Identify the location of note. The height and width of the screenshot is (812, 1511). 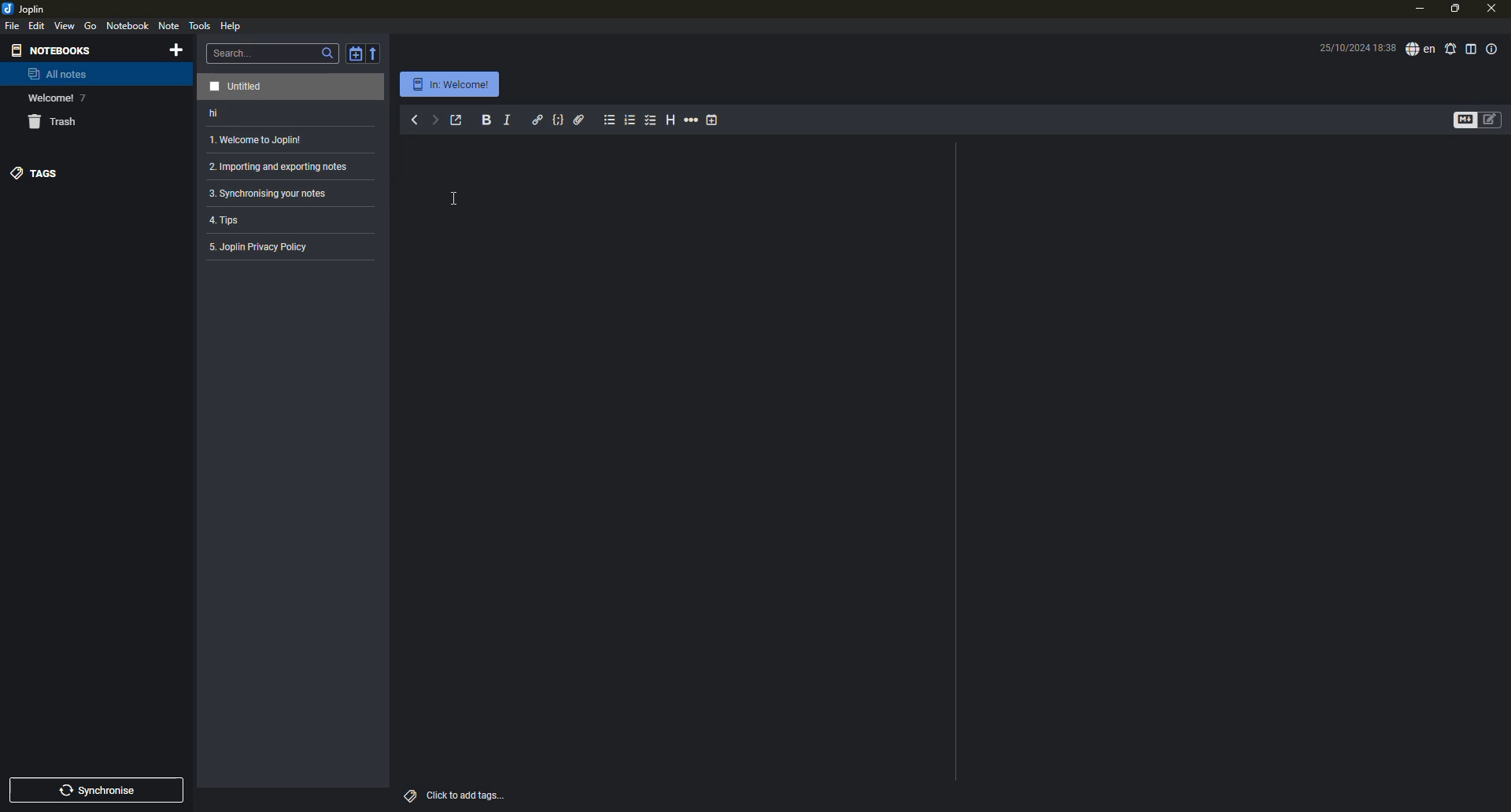
(169, 25).